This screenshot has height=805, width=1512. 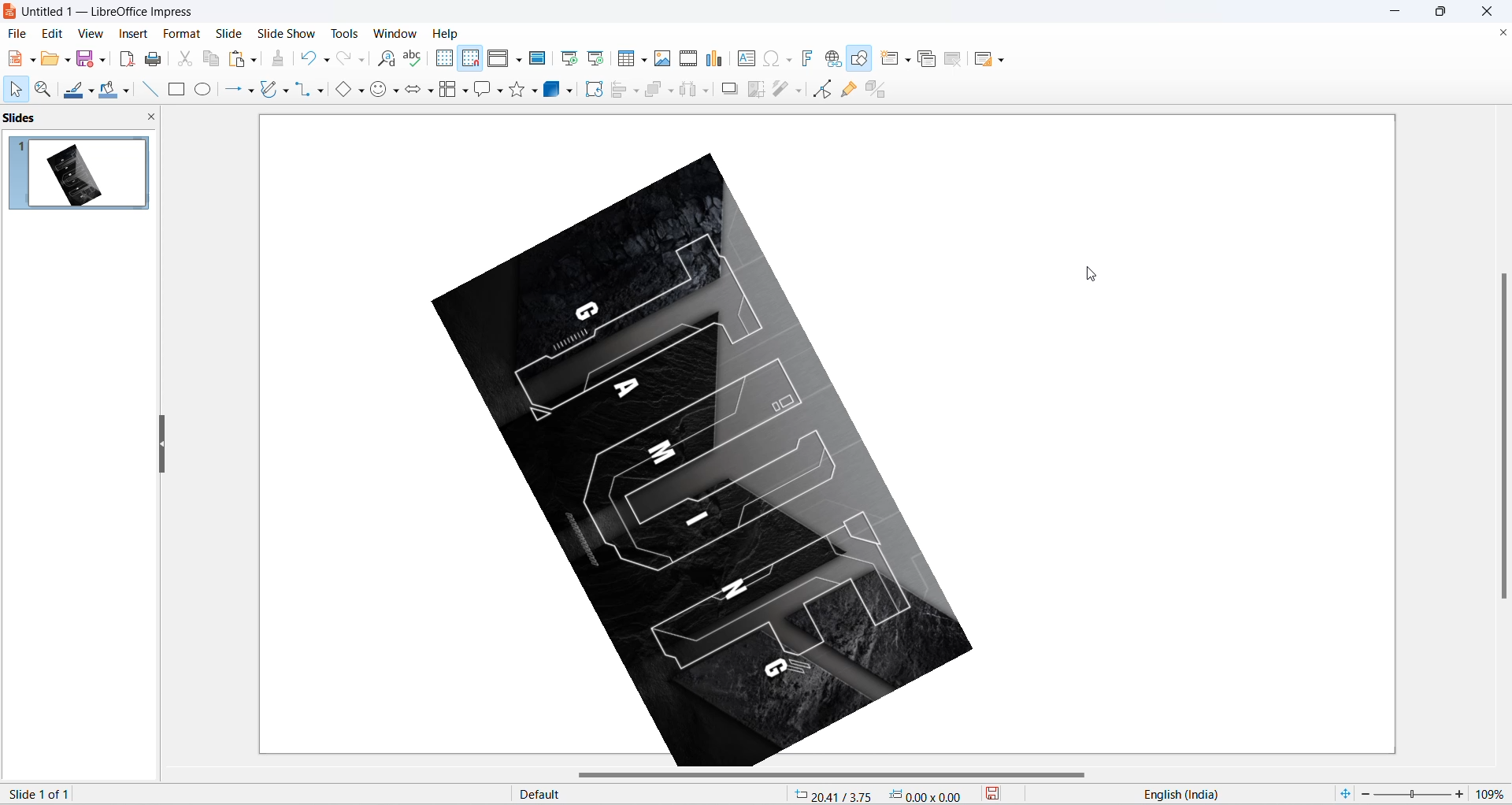 I want to click on Slide layout options, so click(x=1005, y=61).